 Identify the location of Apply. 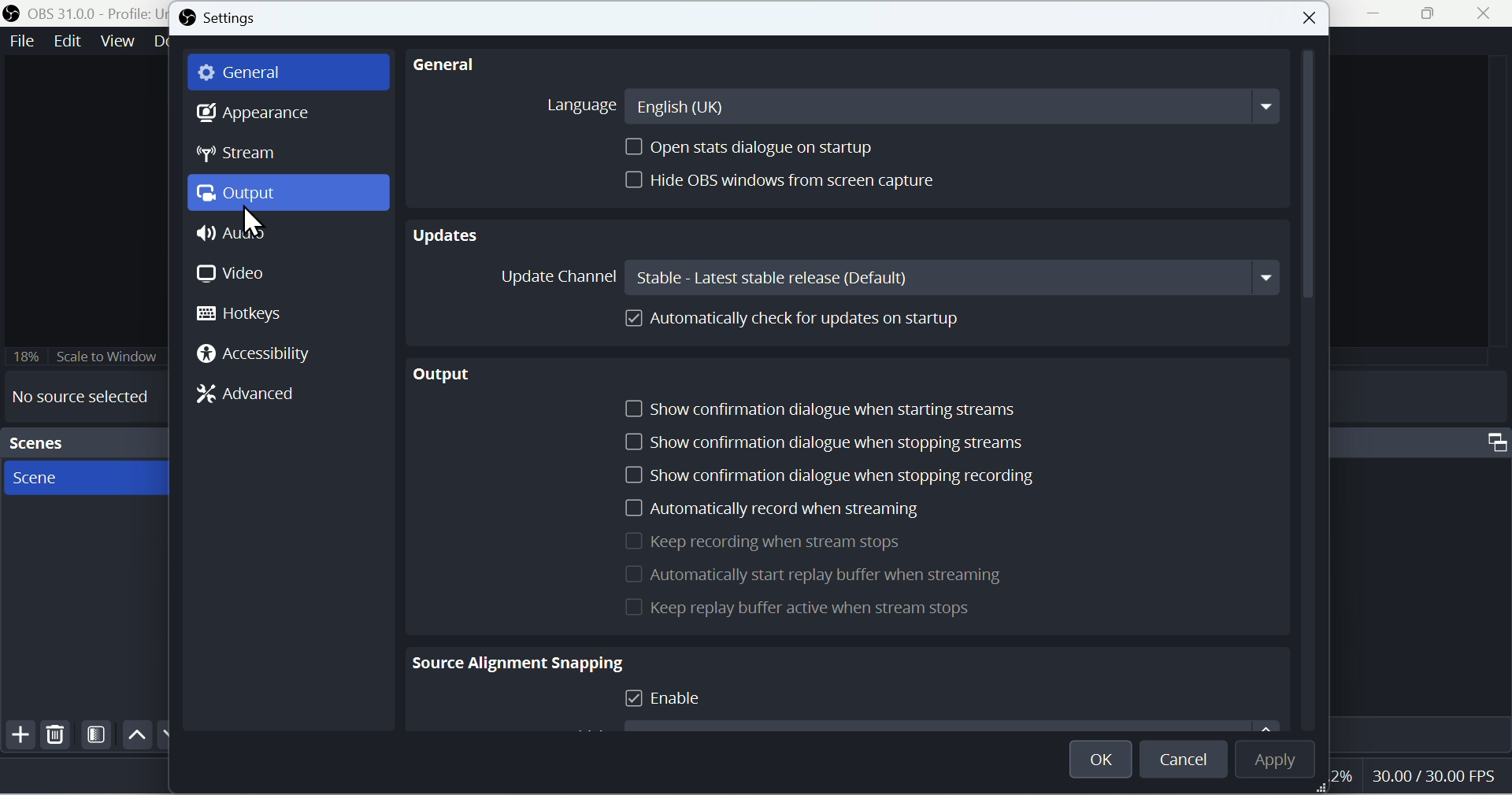
(1284, 763).